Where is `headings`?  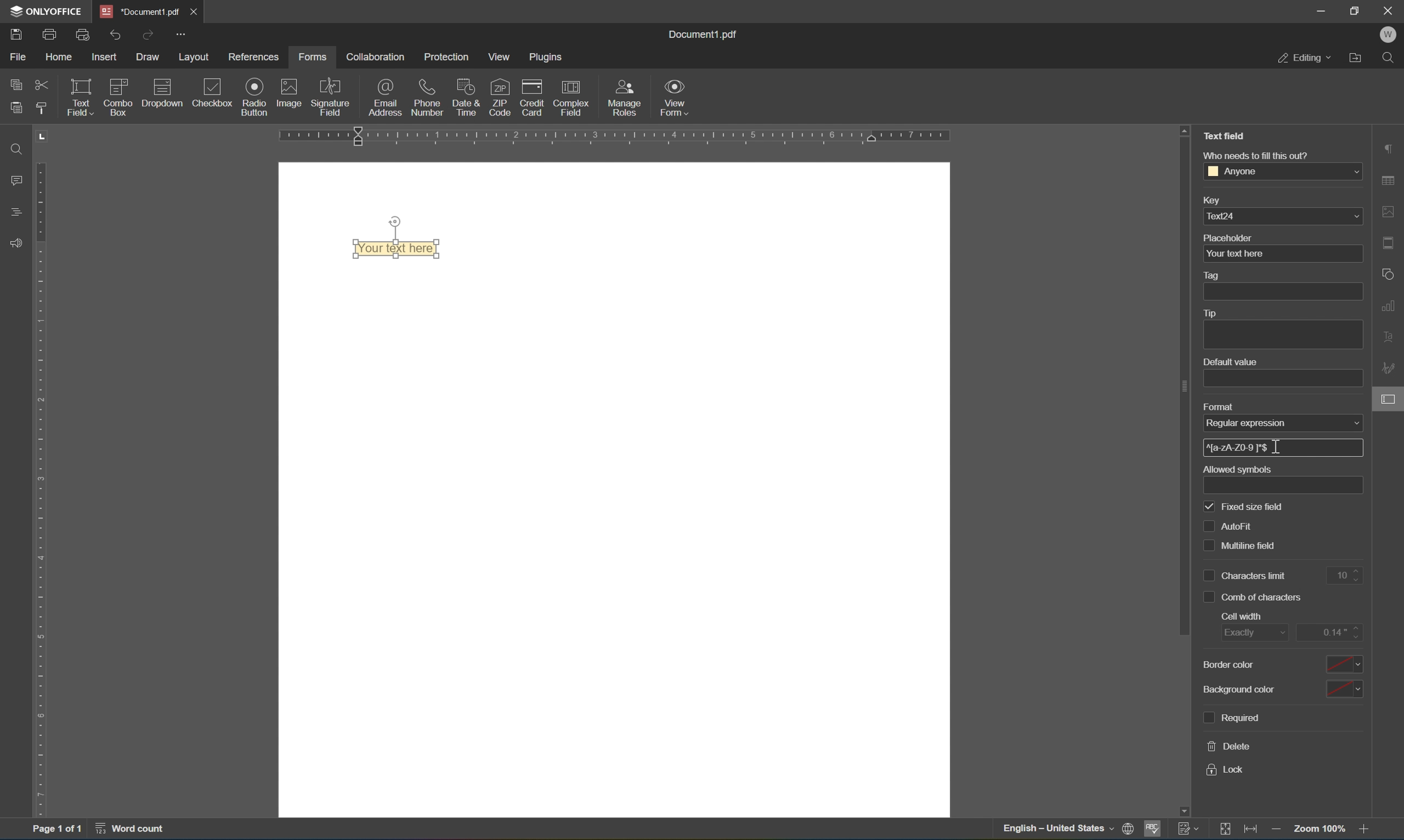
headings is located at coordinates (18, 211).